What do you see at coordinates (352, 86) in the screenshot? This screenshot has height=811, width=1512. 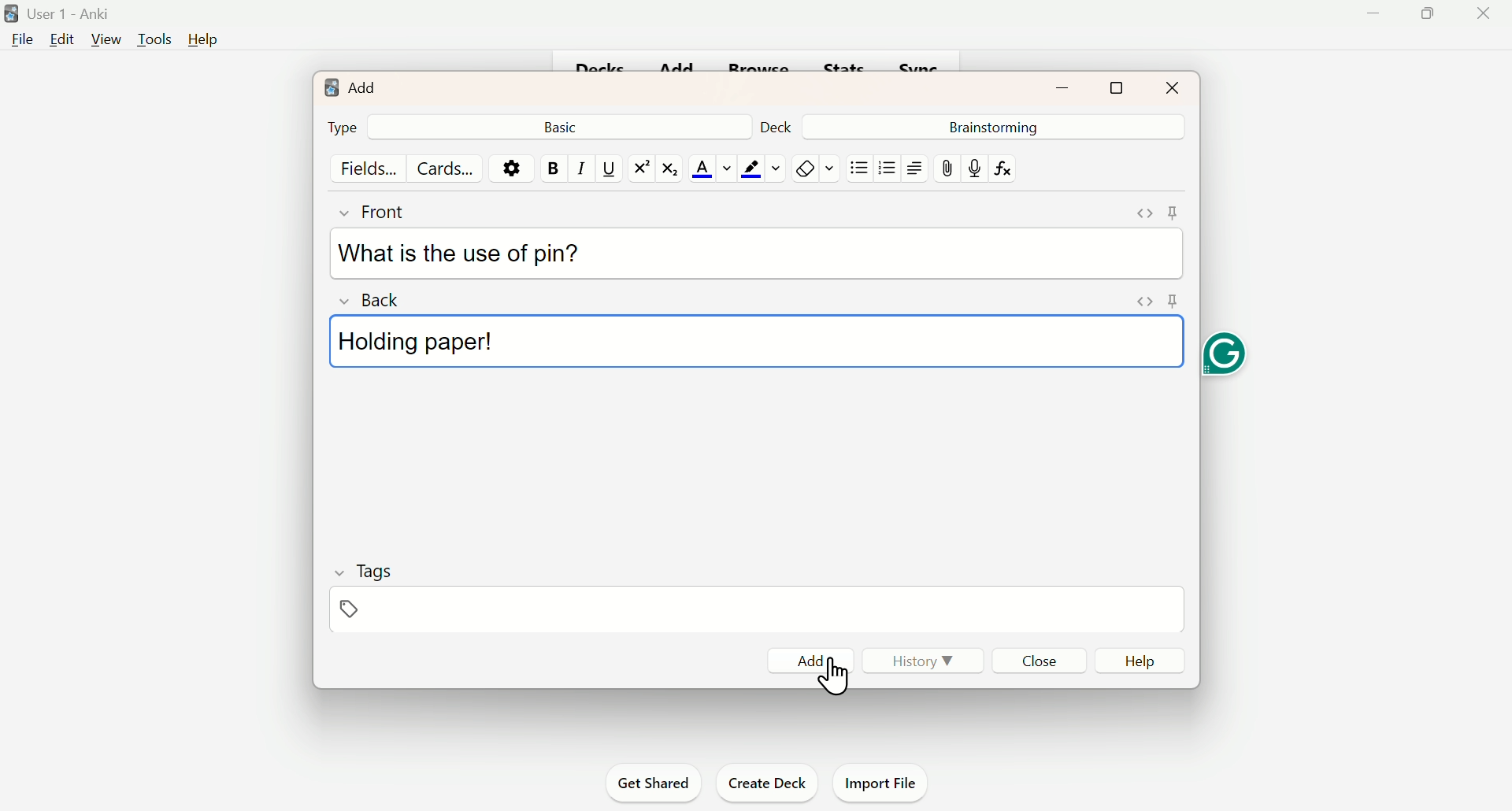 I see `Add` at bounding box center [352, 86].